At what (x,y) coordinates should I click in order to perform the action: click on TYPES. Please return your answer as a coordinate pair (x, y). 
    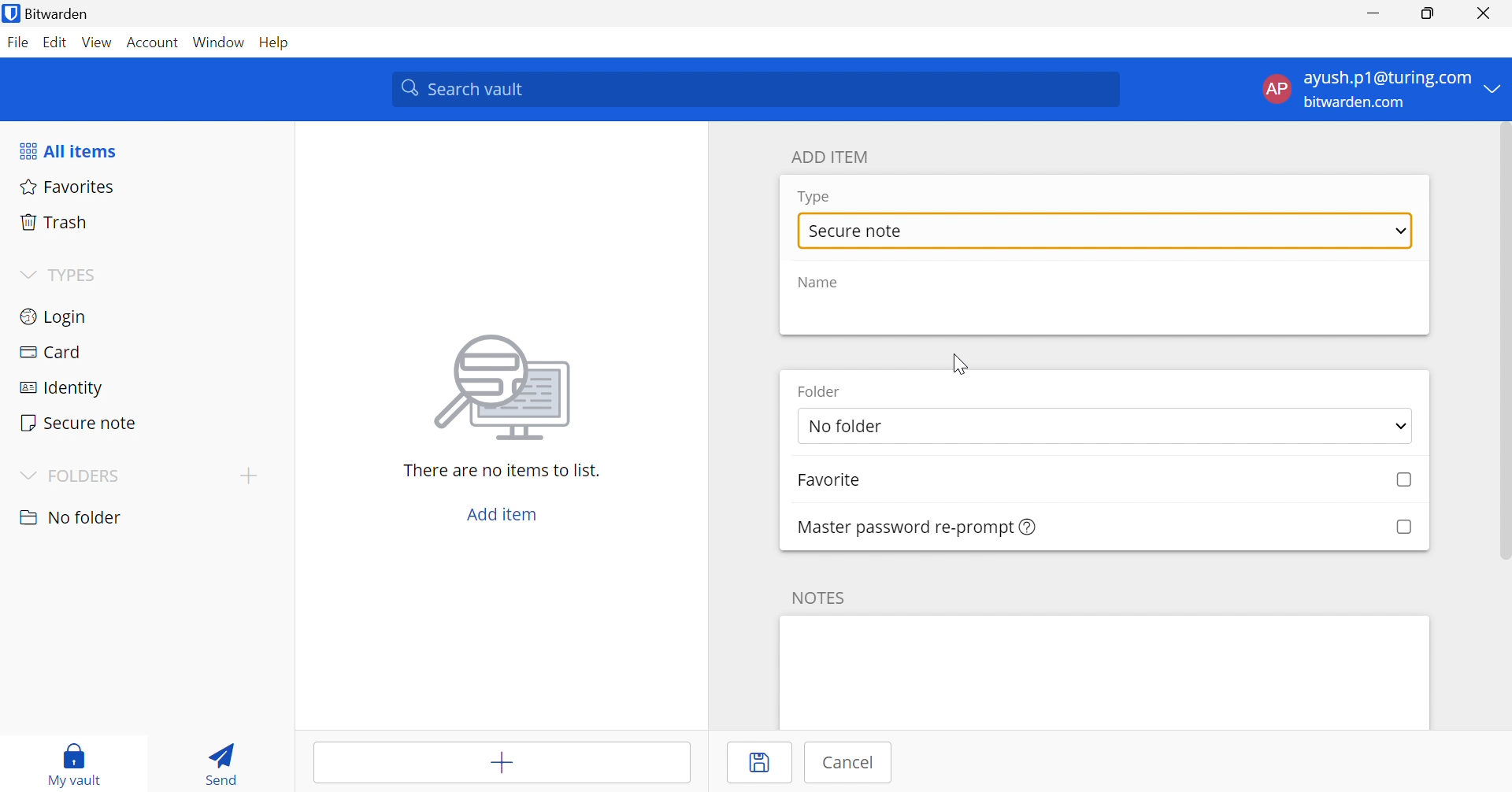
    Looking at the image, I should click on (63, 275).